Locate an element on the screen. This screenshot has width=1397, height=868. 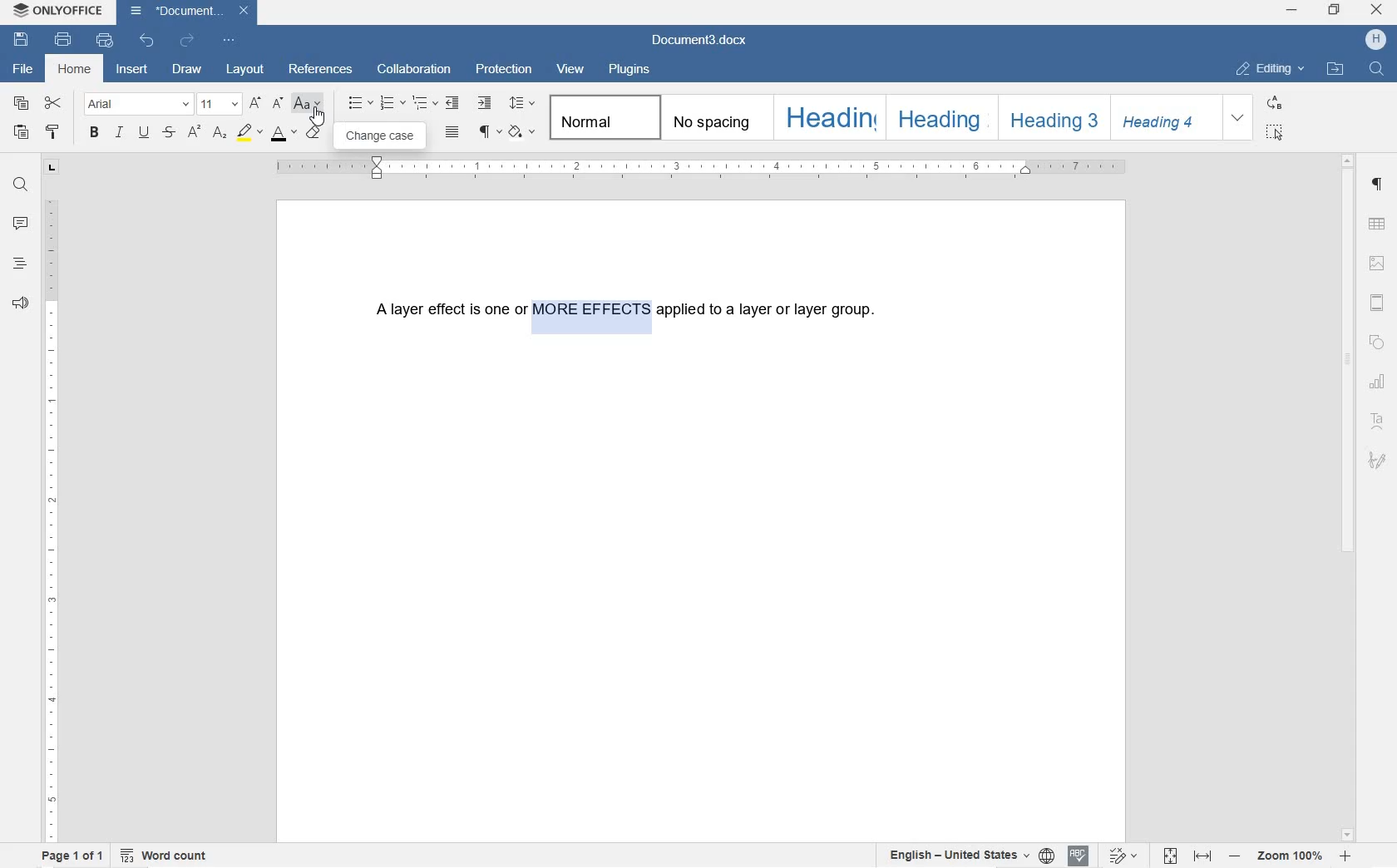
FONT SIZE is located at coordinates (219, 103).